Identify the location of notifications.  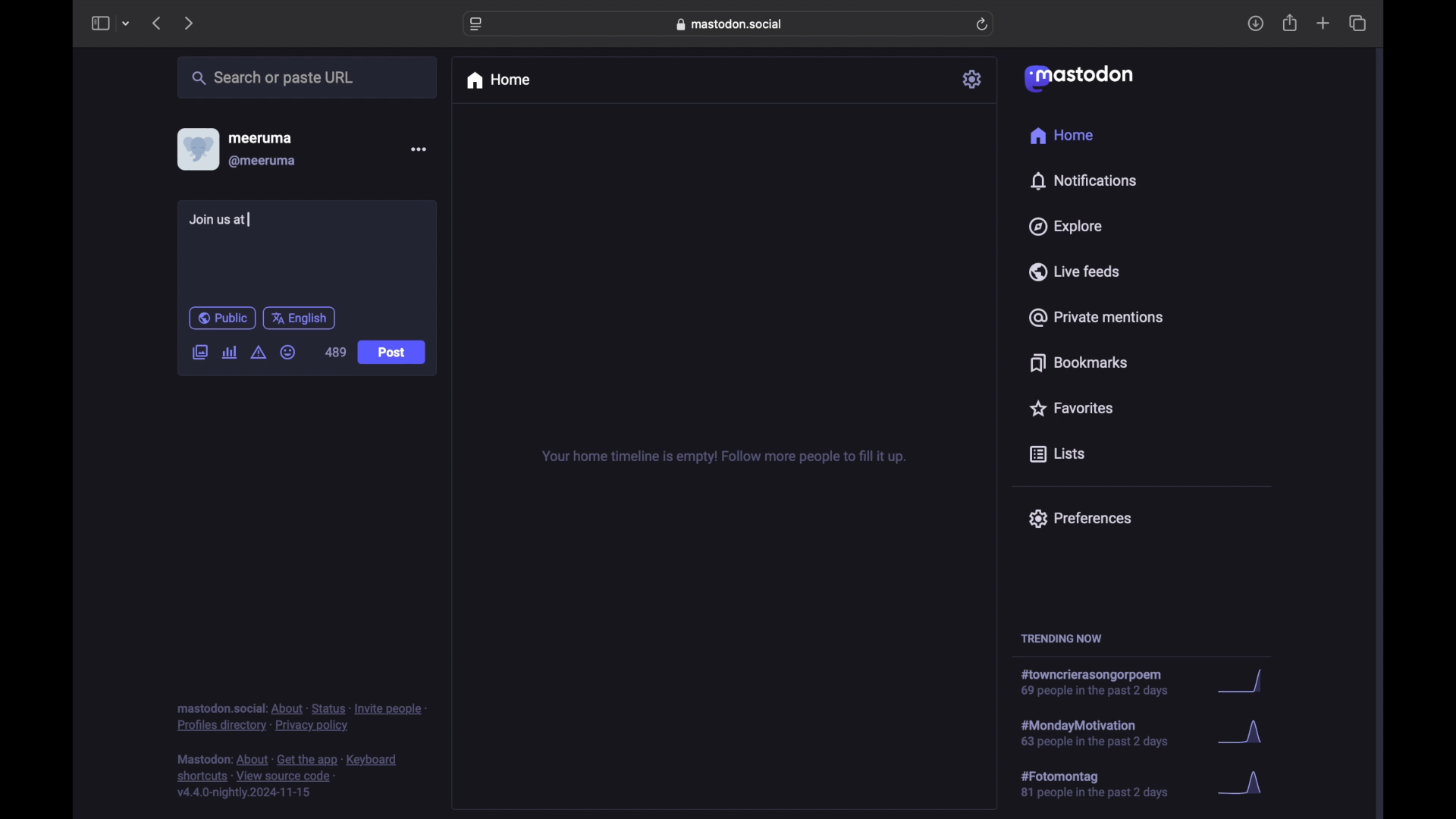
(1083, 180).